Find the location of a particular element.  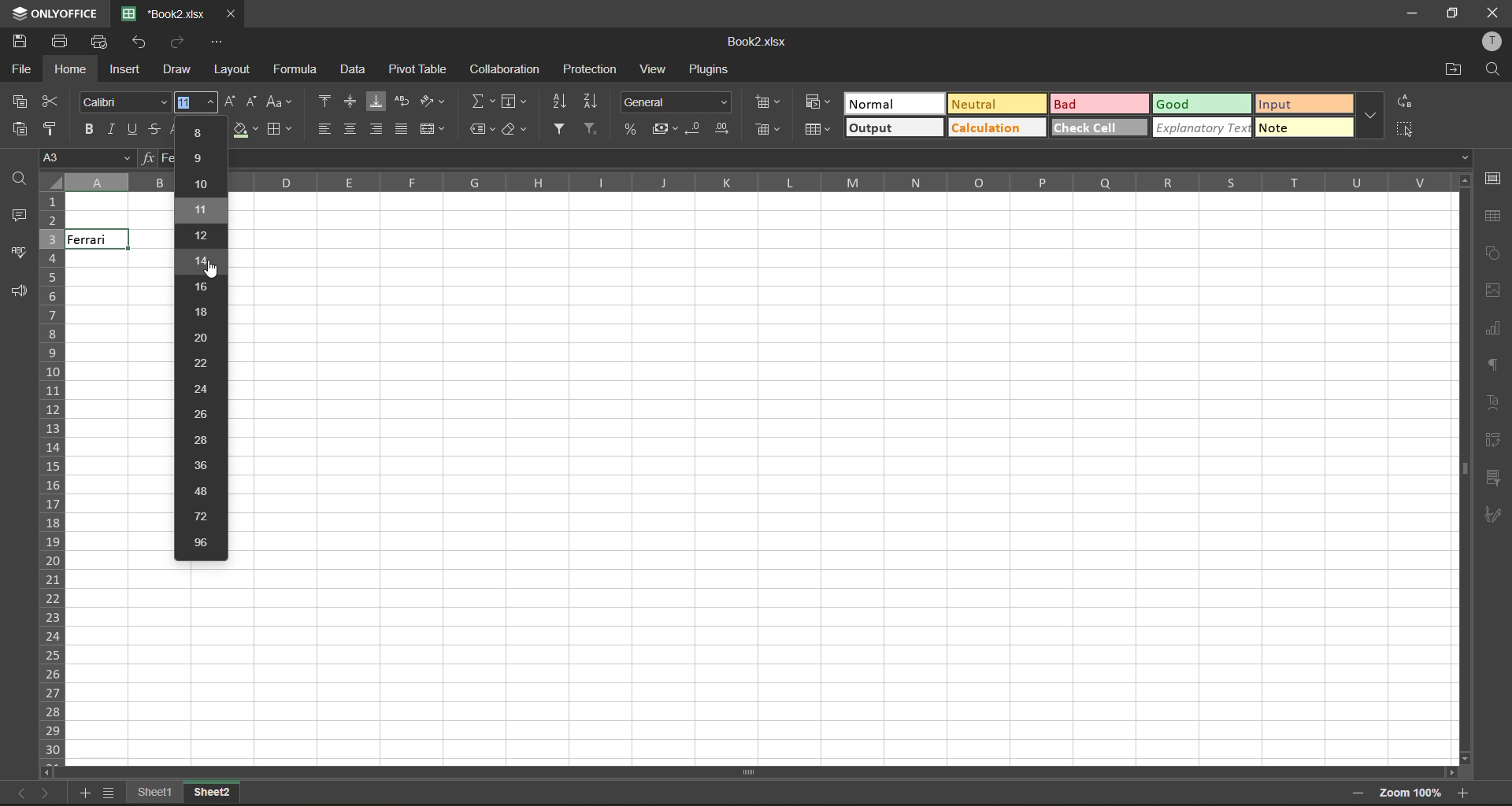

output is located at coordinates (896, 128).